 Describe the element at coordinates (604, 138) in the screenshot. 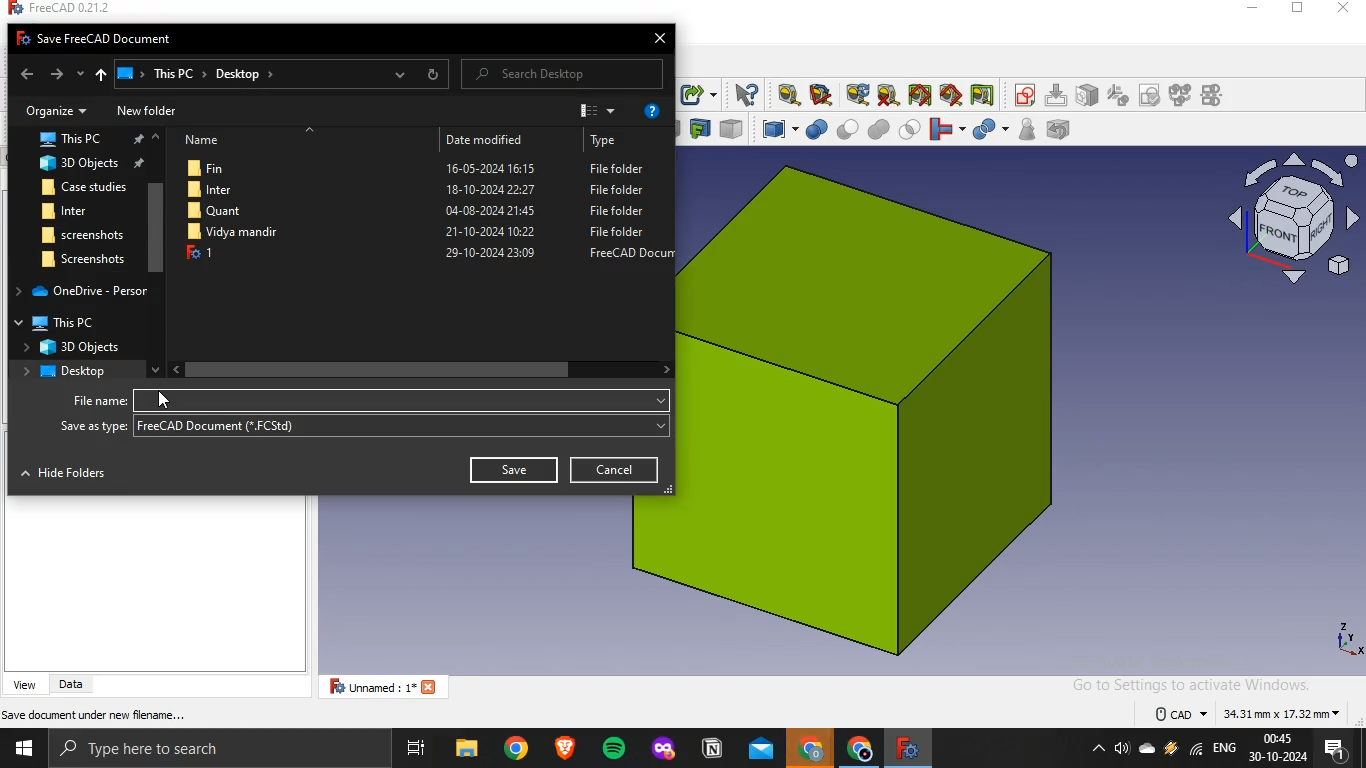

I see `Type` at that location.